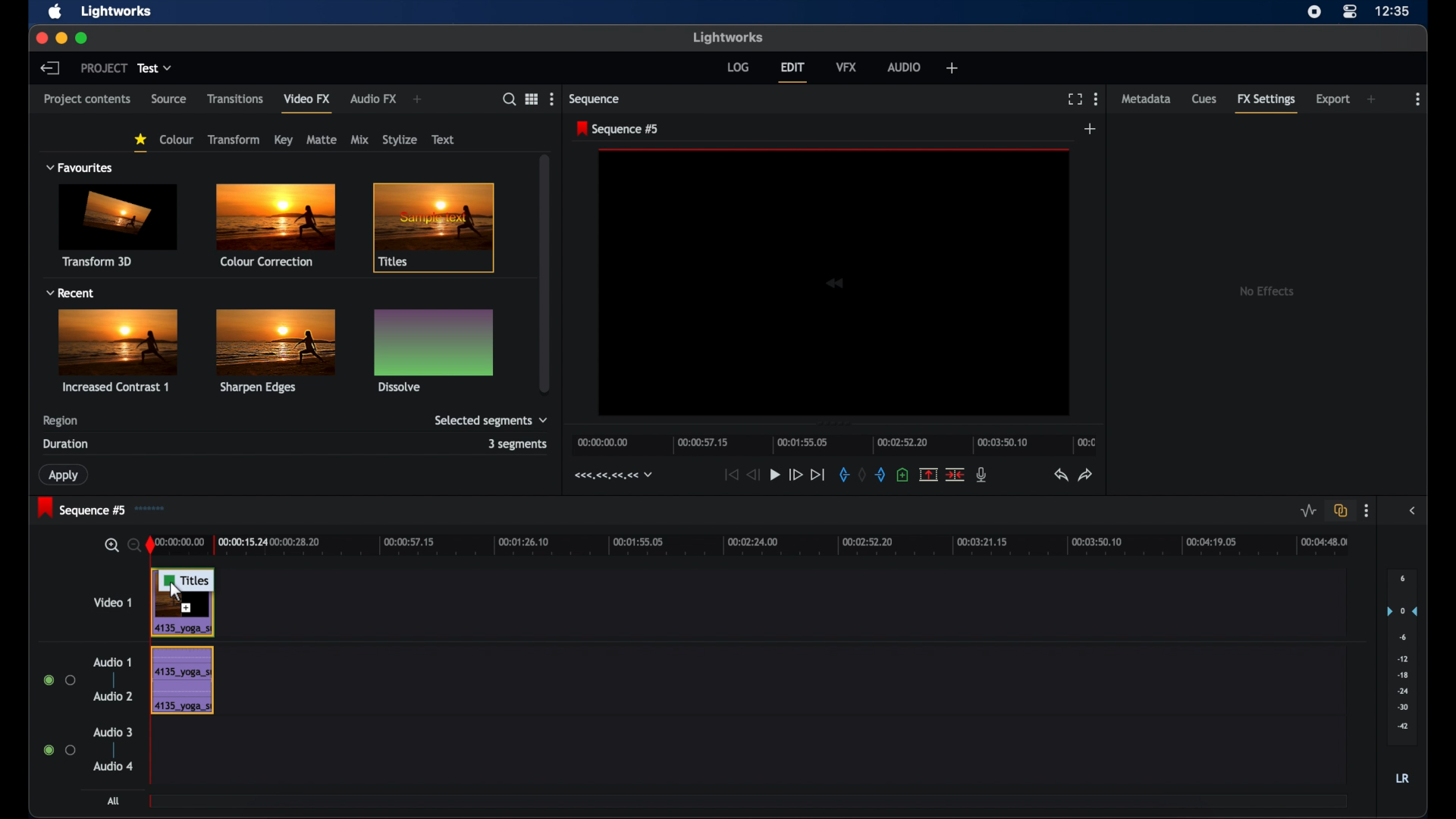 The image size is (1456, 819). What do you see at coordinates (114, 765) in the screenshot?
I see `audio 4` at bounding box center [114, 765].